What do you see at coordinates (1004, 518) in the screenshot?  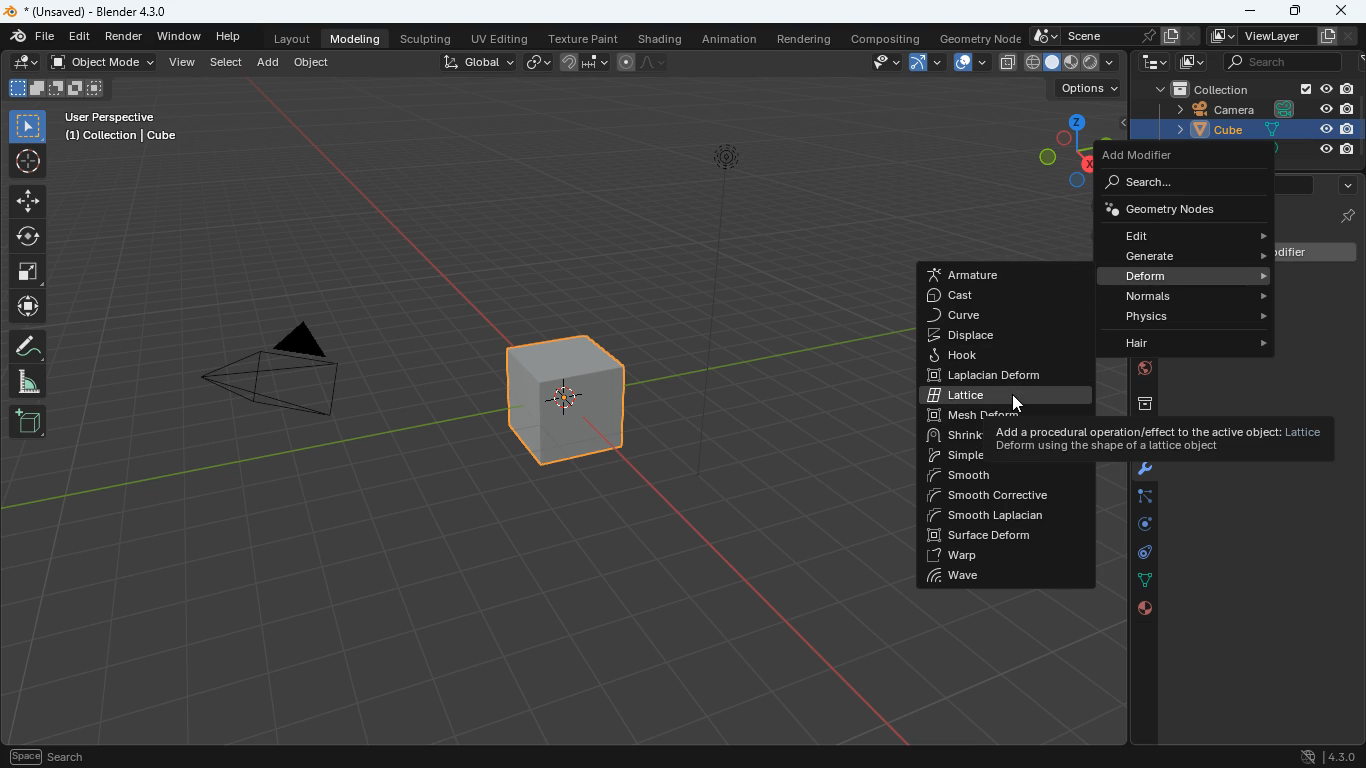 I see `smooth laplacian` at bounding box center [1004, 518].